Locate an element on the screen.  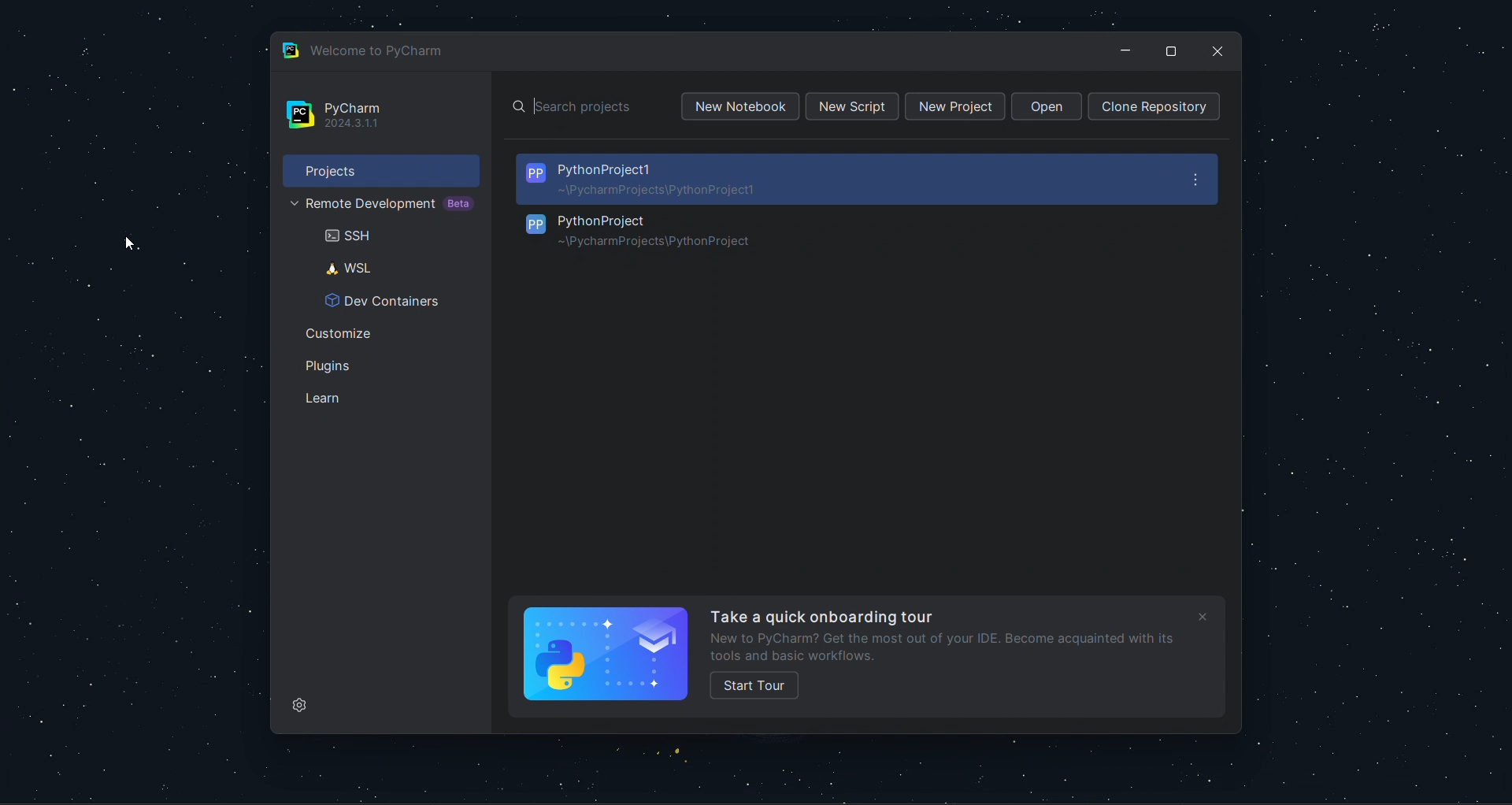
Dev Containers is located at coordinates (386, 302).